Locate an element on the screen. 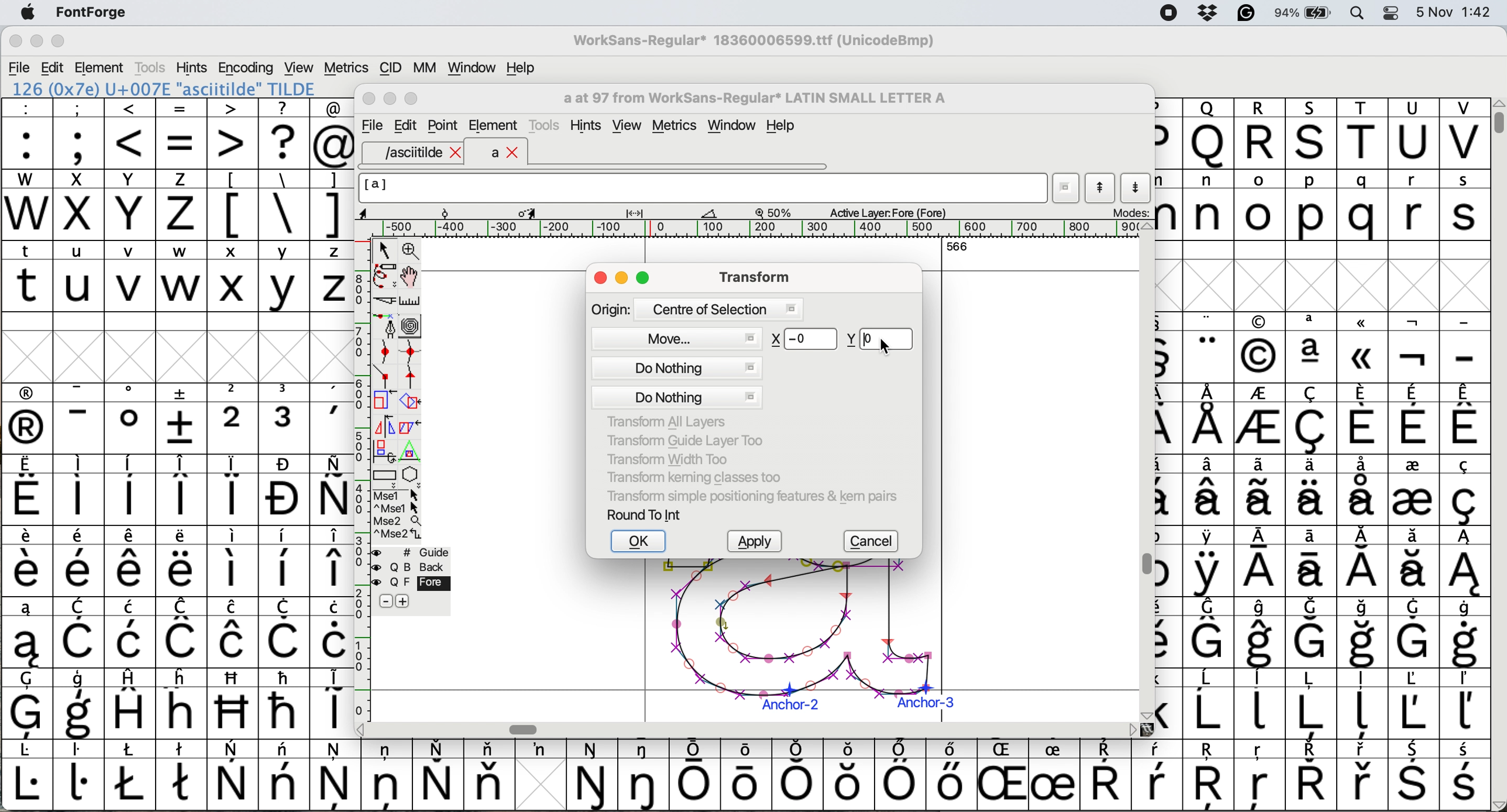  encoding is located at coordinates (247, 68).